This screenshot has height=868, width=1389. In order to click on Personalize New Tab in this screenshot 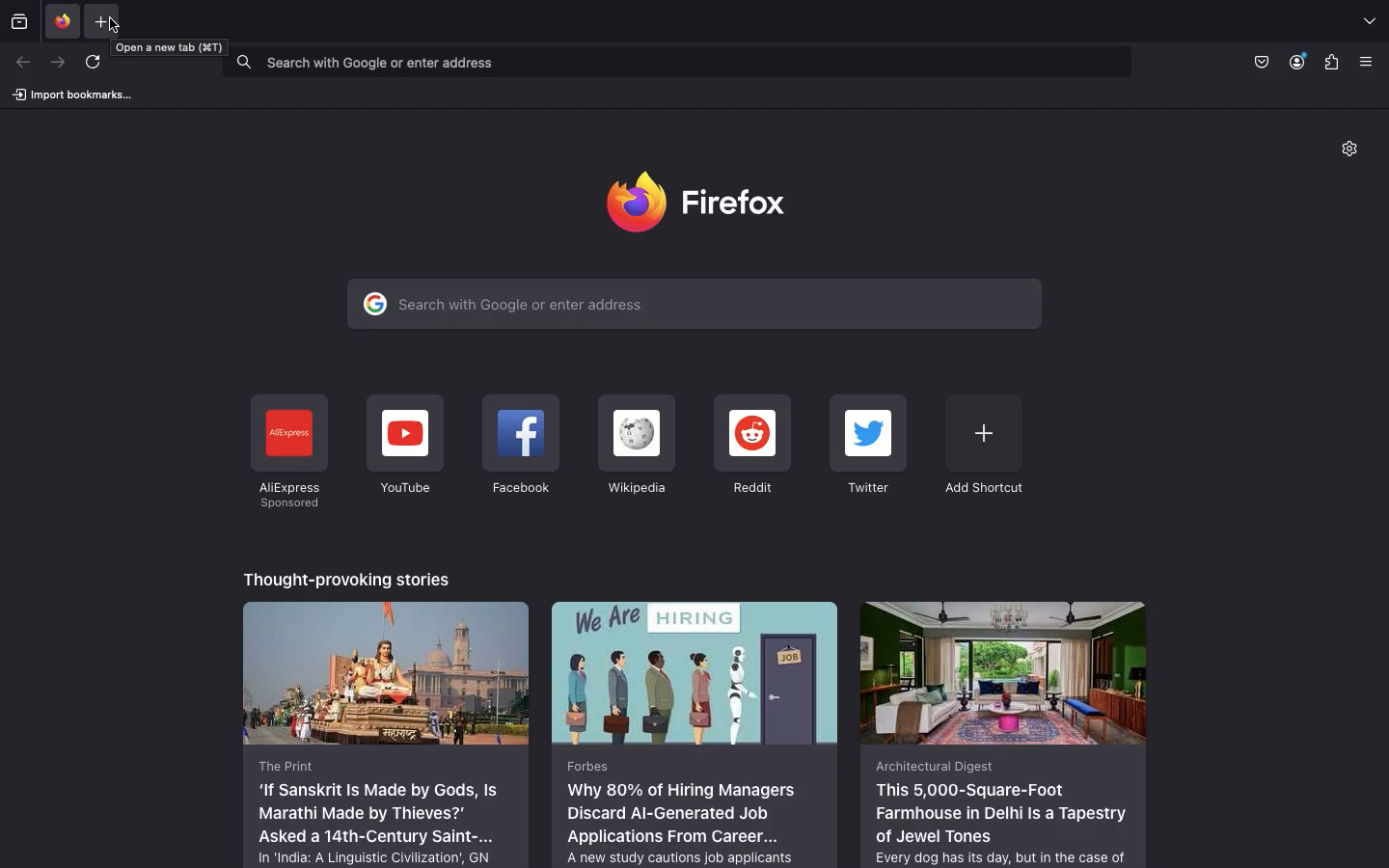, I will do `click(1356, 152)`.